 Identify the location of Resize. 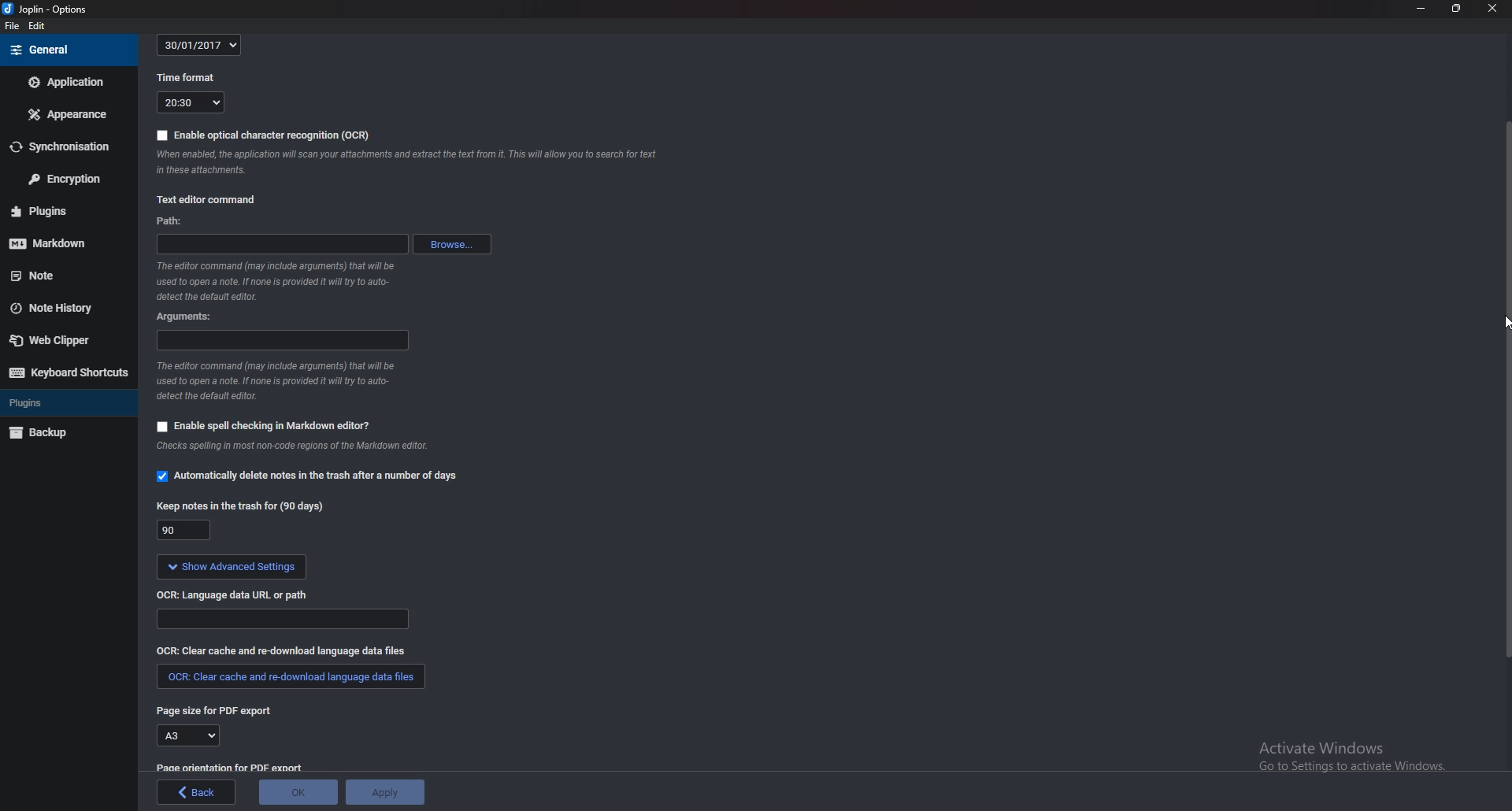
(1457, 8).